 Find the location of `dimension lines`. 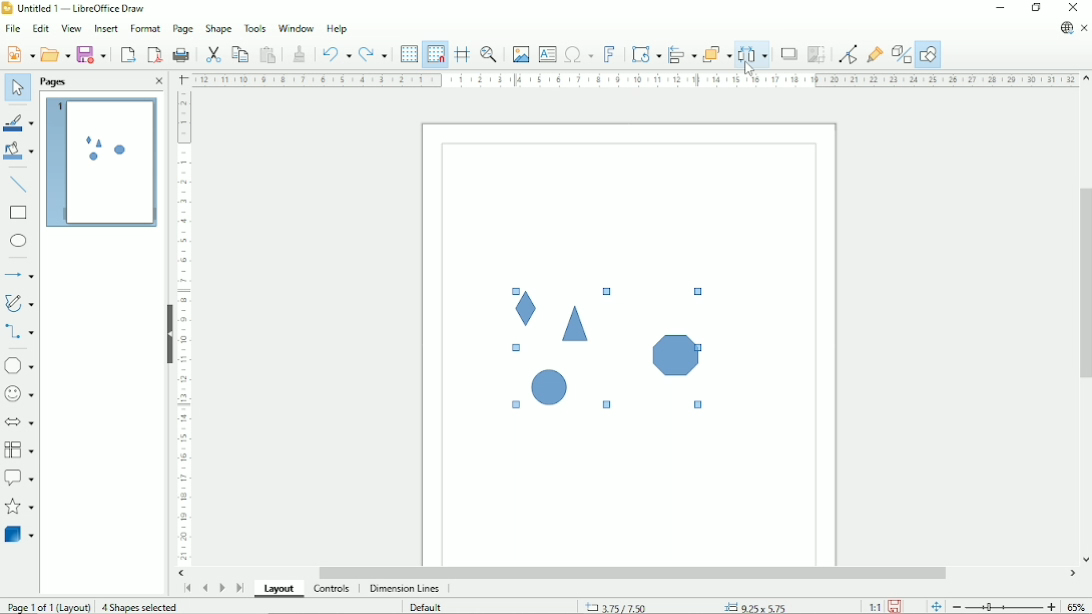

dimension lines is located at coordinates (404, 589).